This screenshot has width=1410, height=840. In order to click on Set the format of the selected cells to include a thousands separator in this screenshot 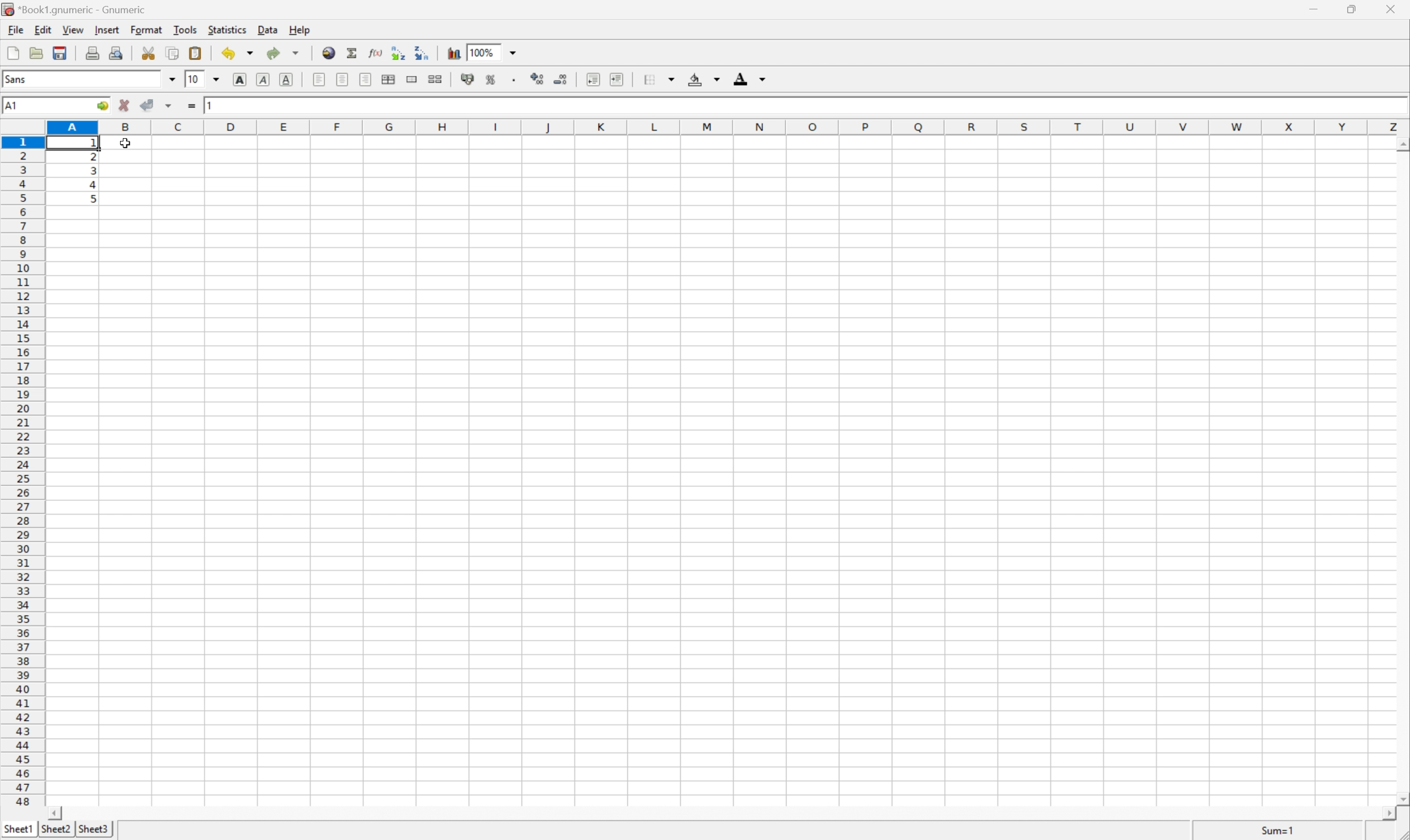, I will do `click(514, 79)`.